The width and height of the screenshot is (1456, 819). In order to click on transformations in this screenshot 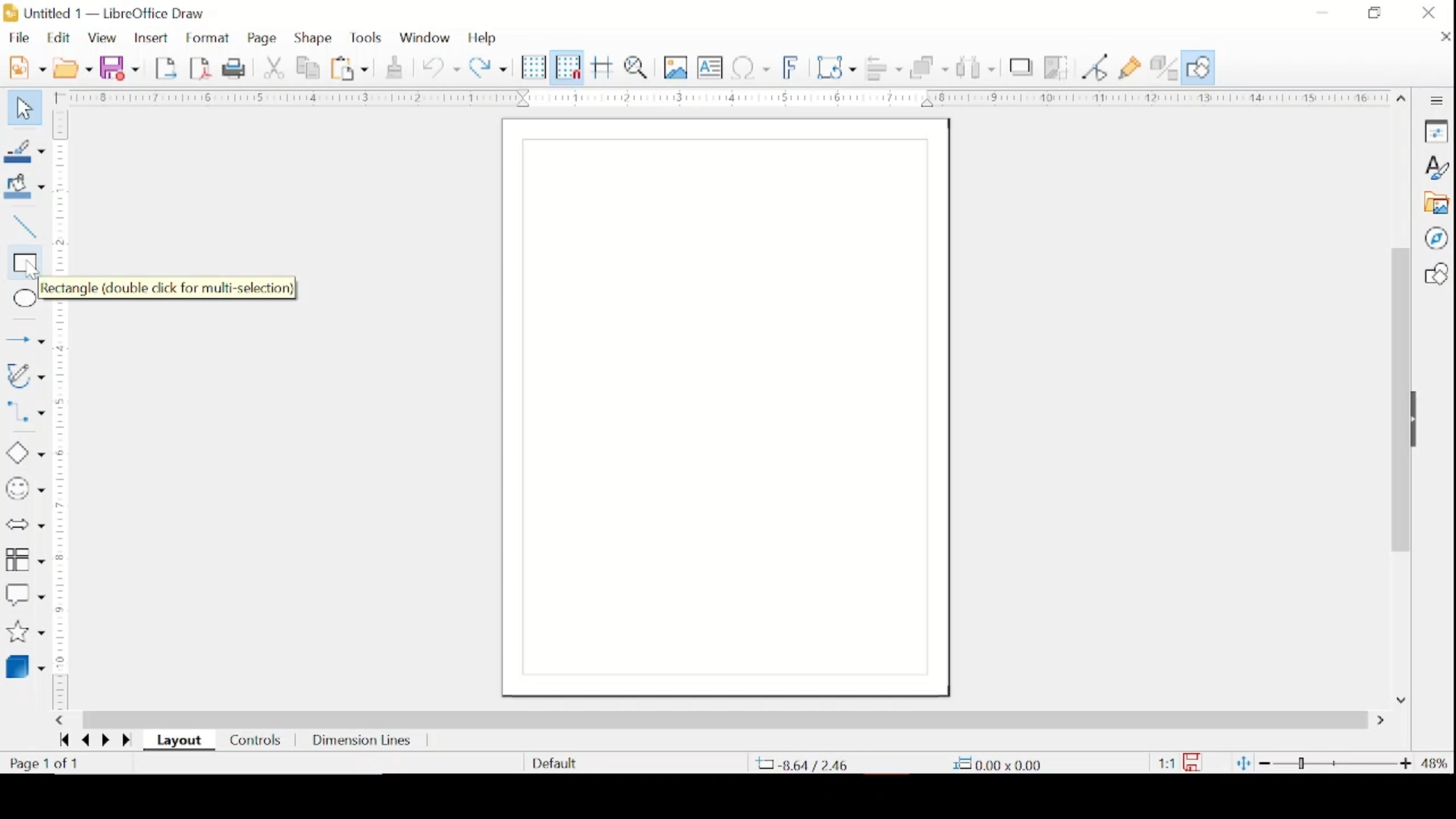, I will do `click(838, 67)`.